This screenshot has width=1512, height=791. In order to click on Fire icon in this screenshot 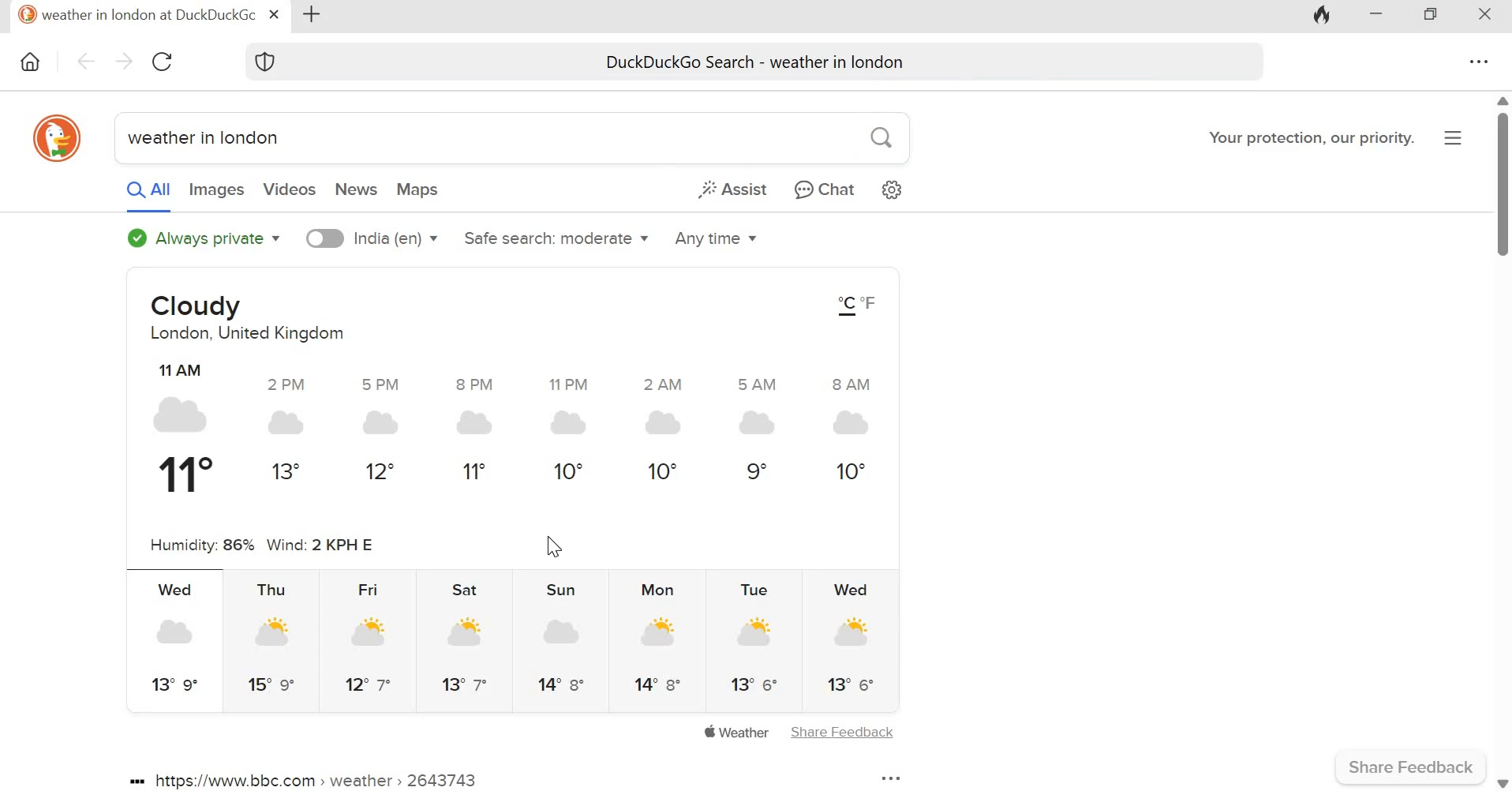, I will do `click(1319, 14)`.